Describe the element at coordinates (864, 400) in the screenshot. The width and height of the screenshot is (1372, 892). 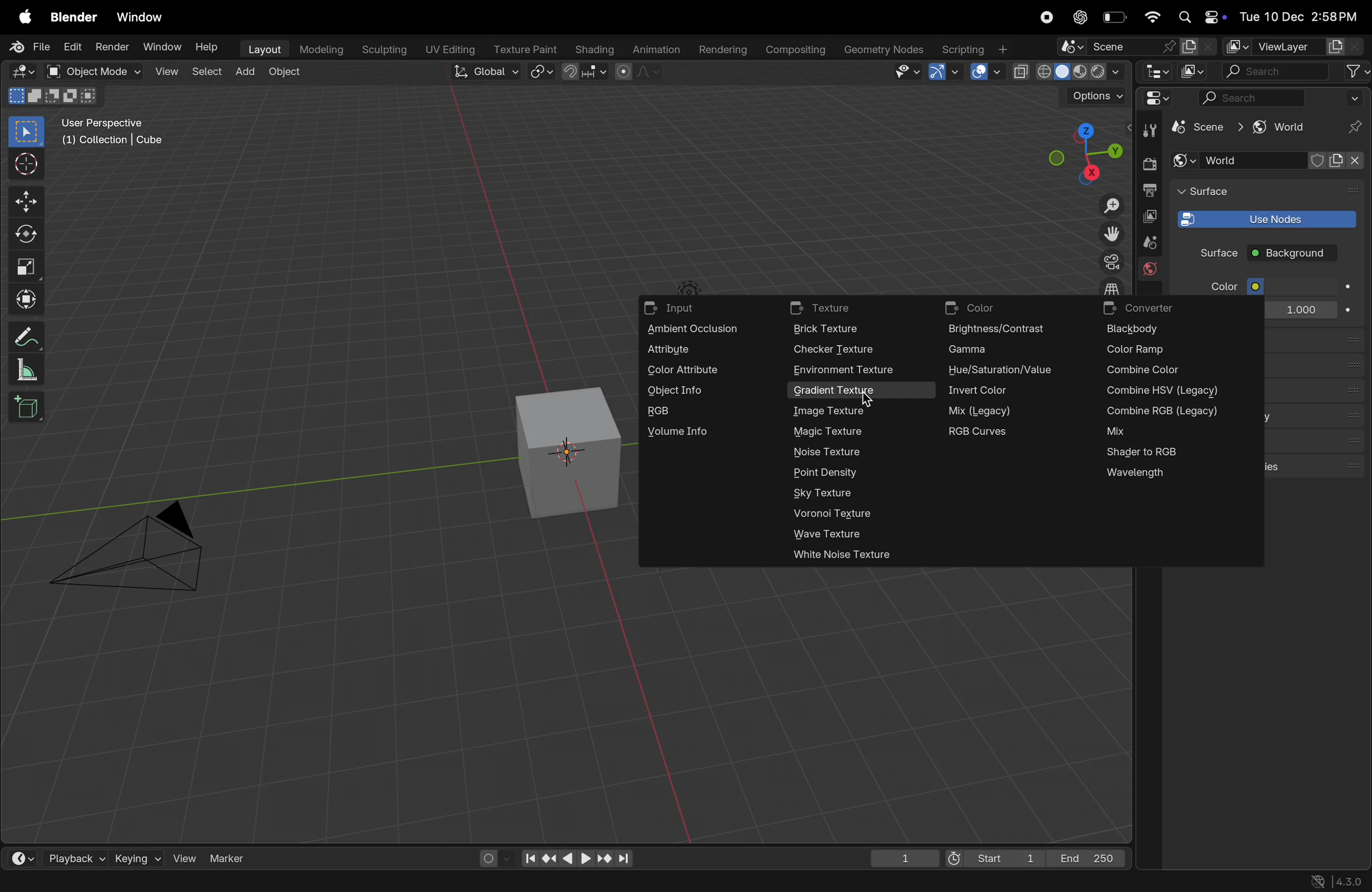
I see `cursor` at that location.